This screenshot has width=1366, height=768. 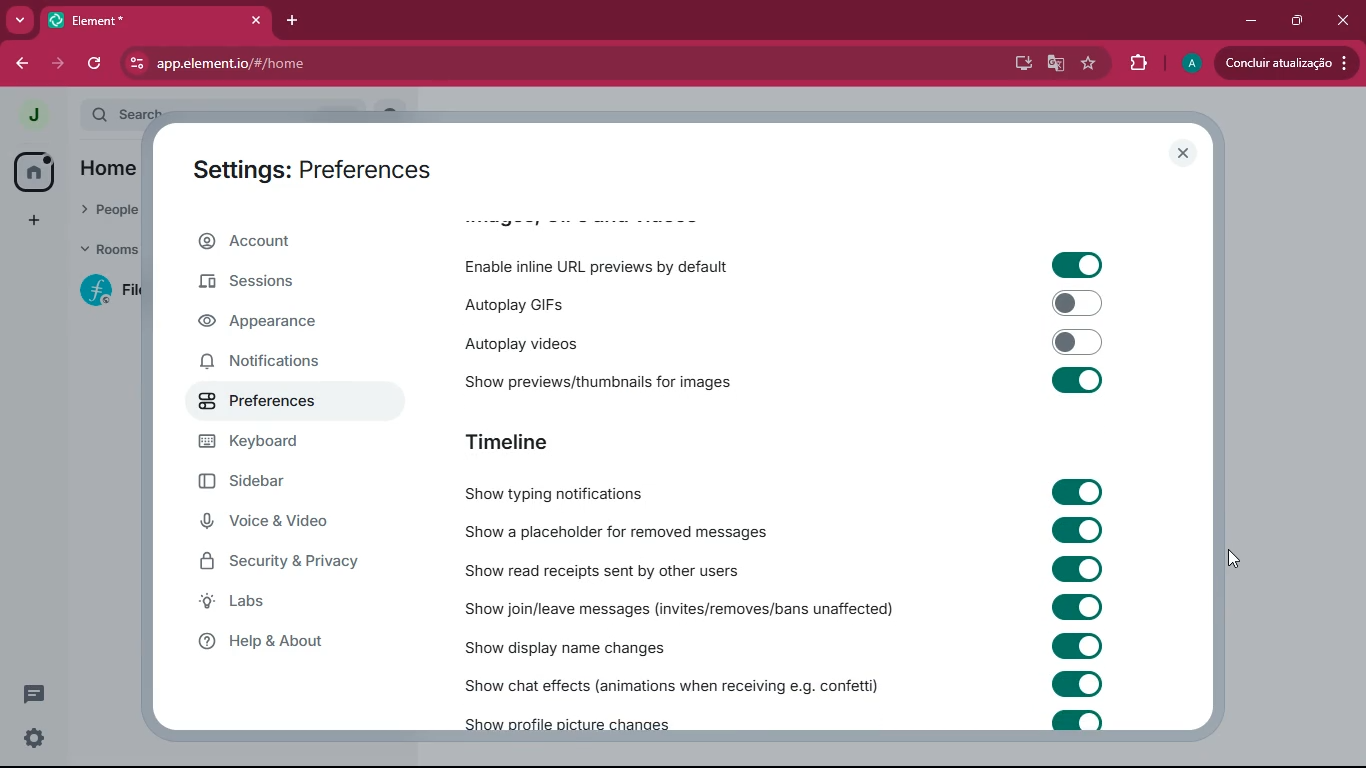 I want to click on mouse up, so click(x=1234, y=558).